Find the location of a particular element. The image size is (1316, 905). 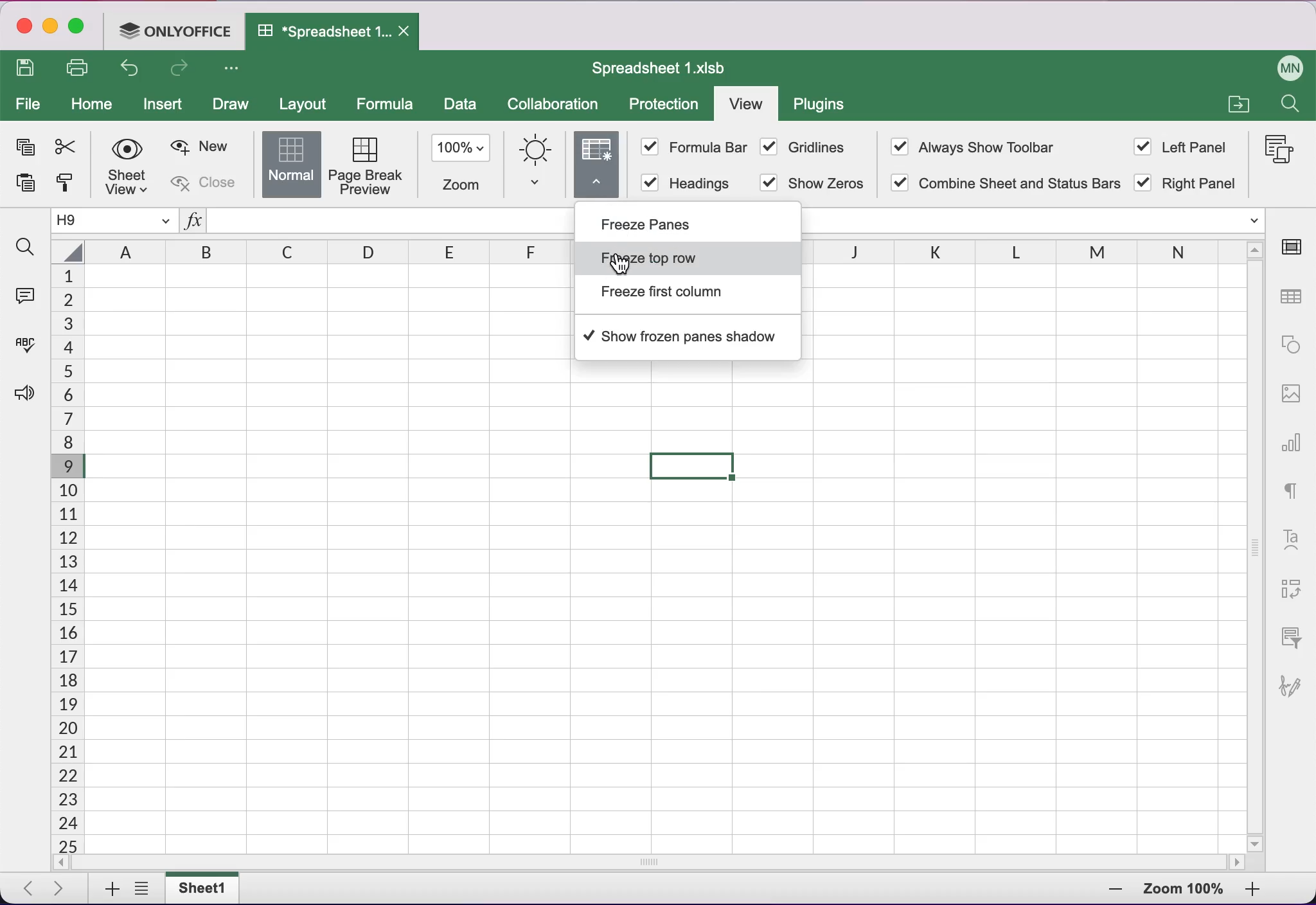

sheet tab is located at coordinates (208, 888).